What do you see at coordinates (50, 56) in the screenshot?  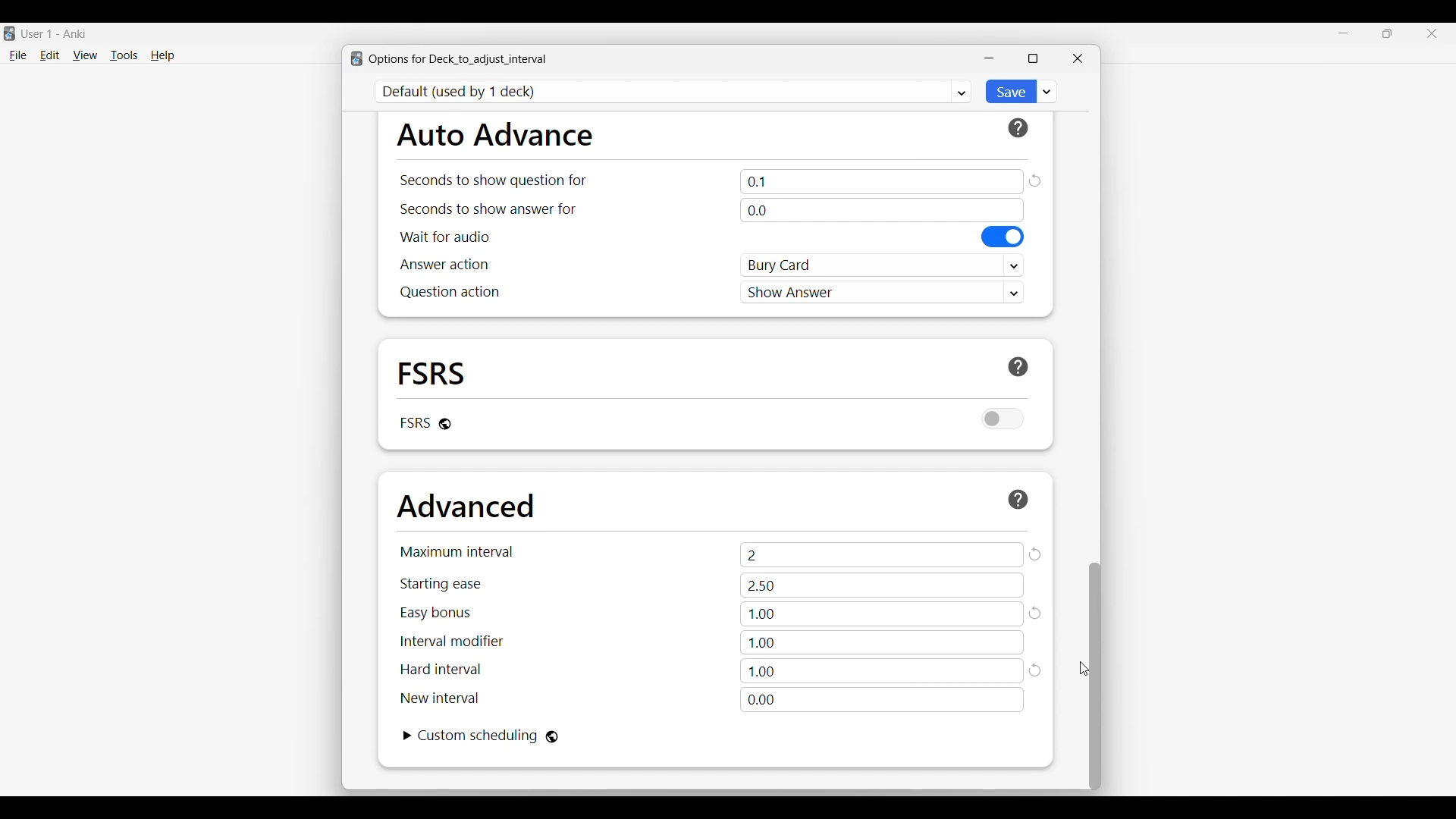 I see `Edit menu` at bounding box center [50, 56].